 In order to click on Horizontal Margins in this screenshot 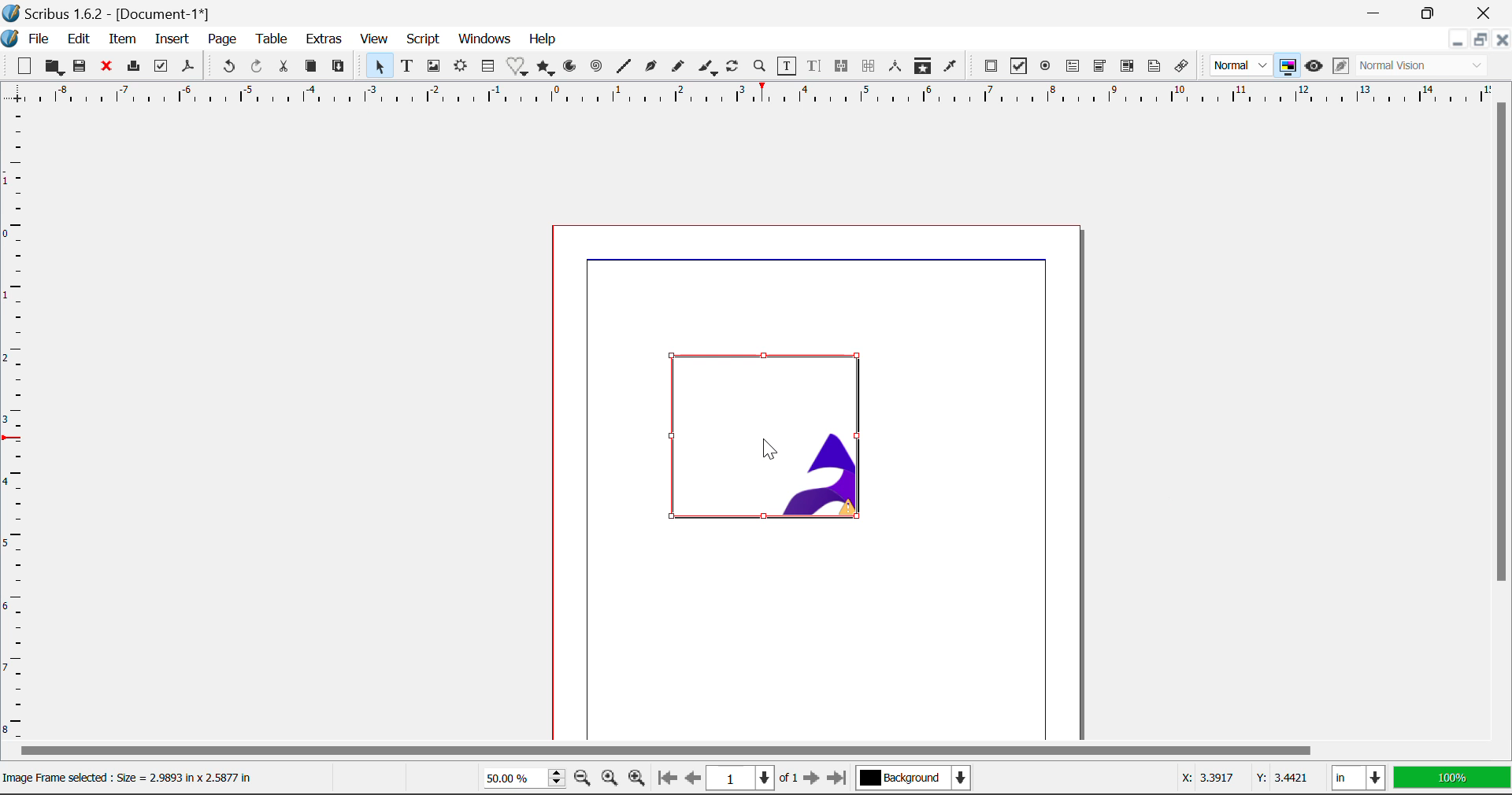, I will do `click(14, 427)`.